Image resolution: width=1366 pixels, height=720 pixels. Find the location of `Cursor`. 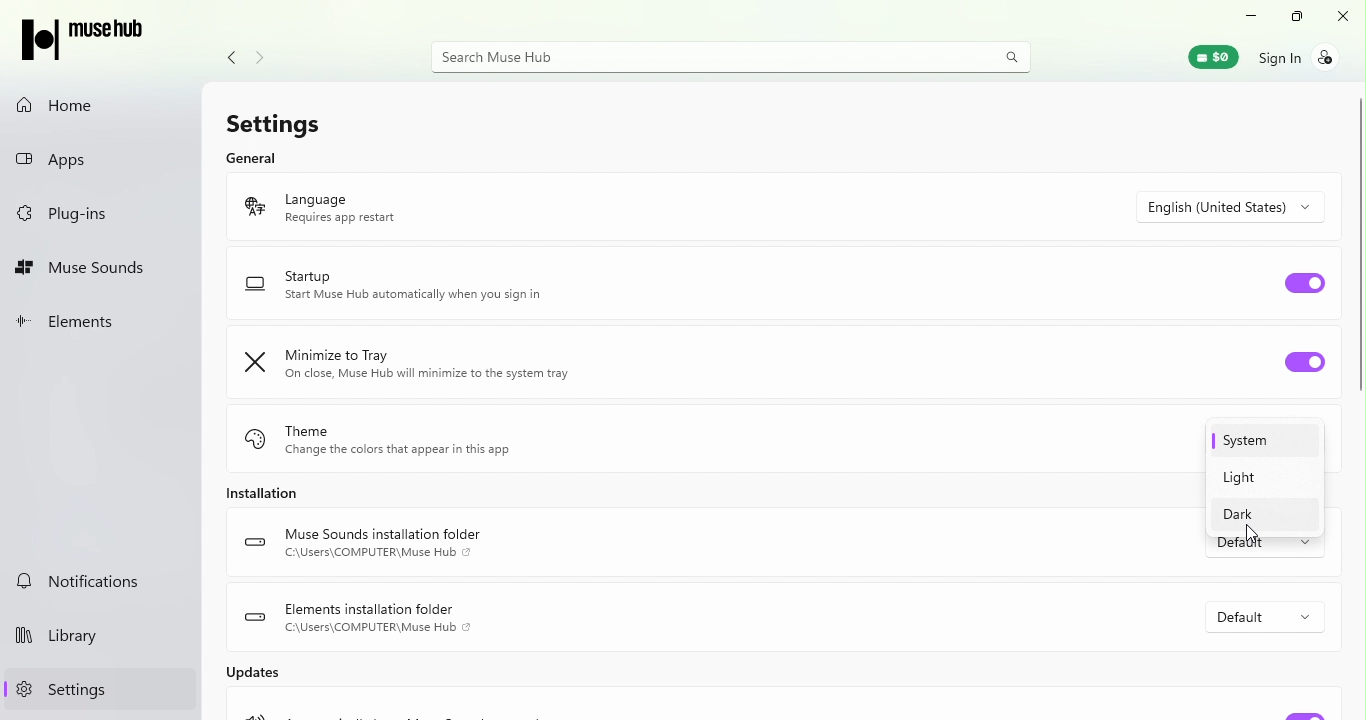

Cursor is located at coordinates (1253, 532).